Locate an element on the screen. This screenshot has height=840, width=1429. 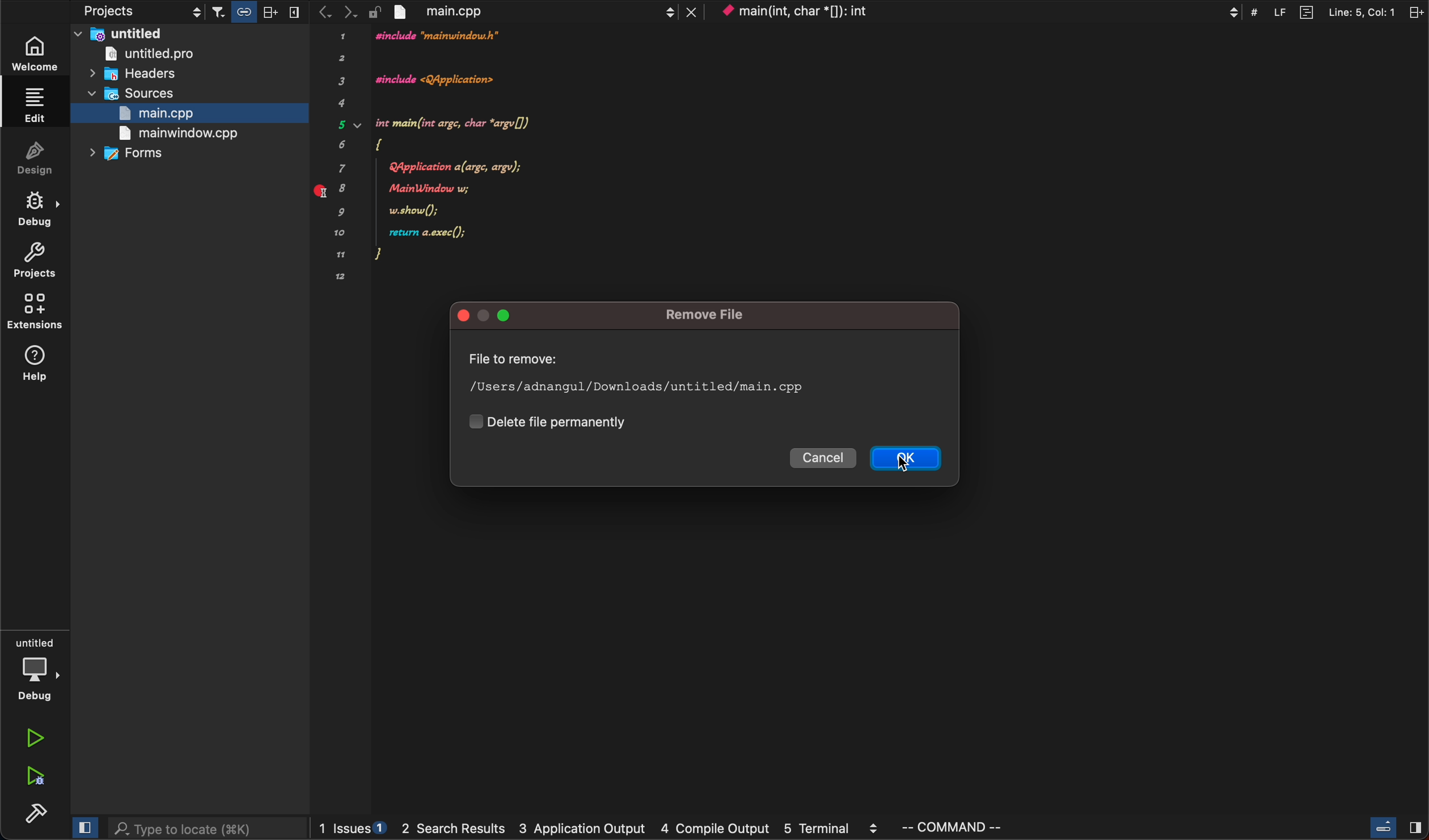
forms is located at coordinates (132, 155).